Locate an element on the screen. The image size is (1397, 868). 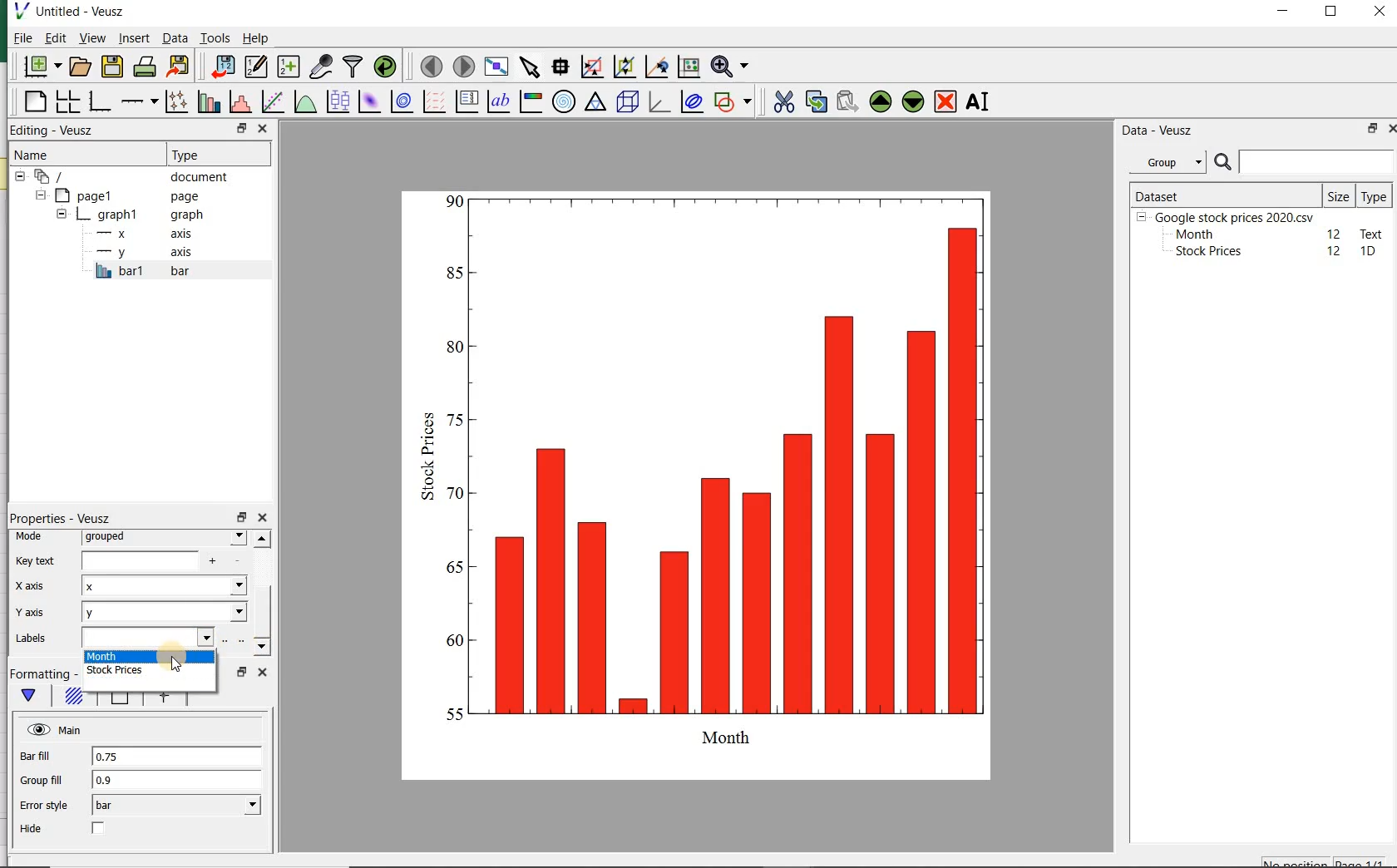
0.9 is located at coordinates (178, 782).